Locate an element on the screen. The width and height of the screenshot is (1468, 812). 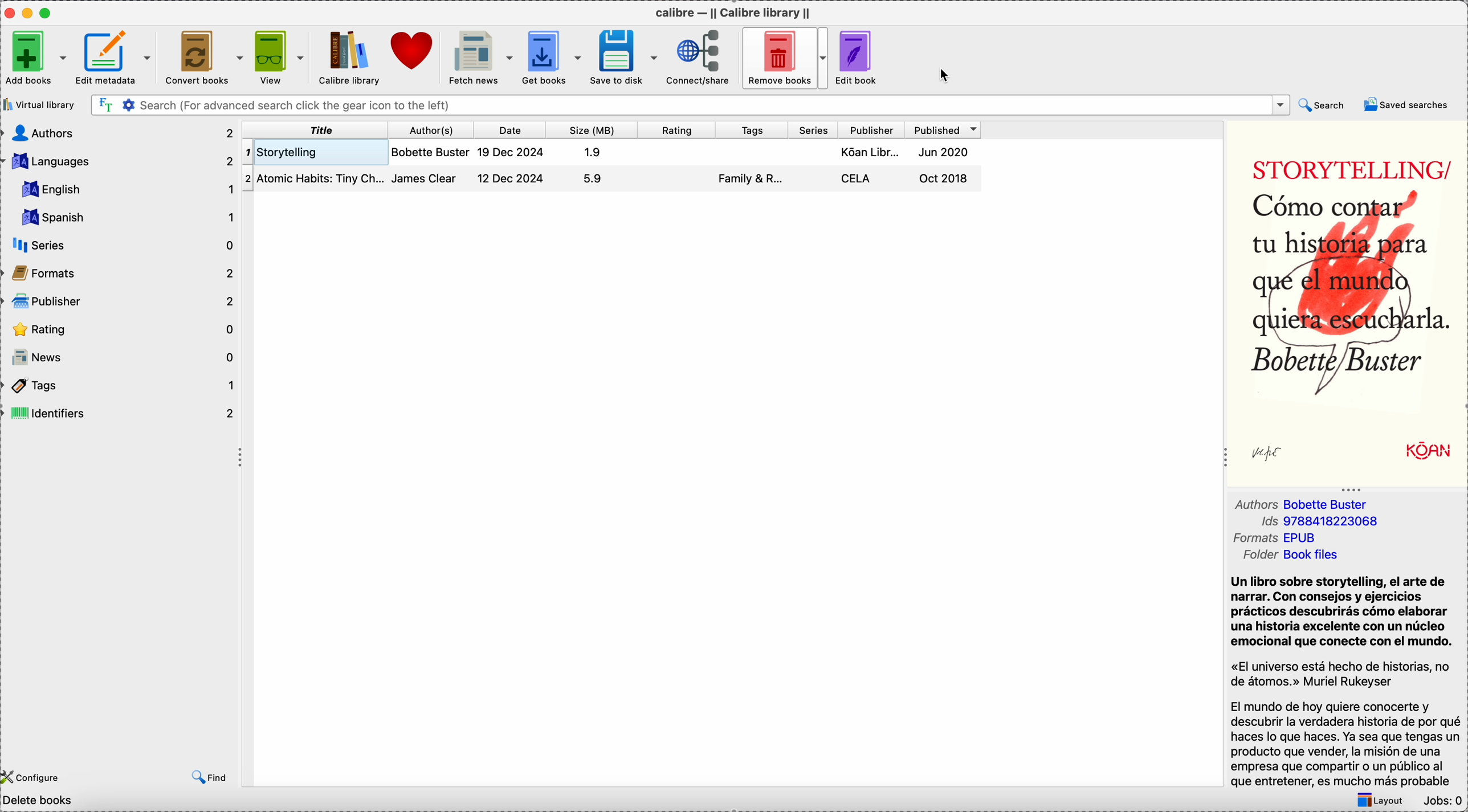
search bar is located at coordinates (690, 104).